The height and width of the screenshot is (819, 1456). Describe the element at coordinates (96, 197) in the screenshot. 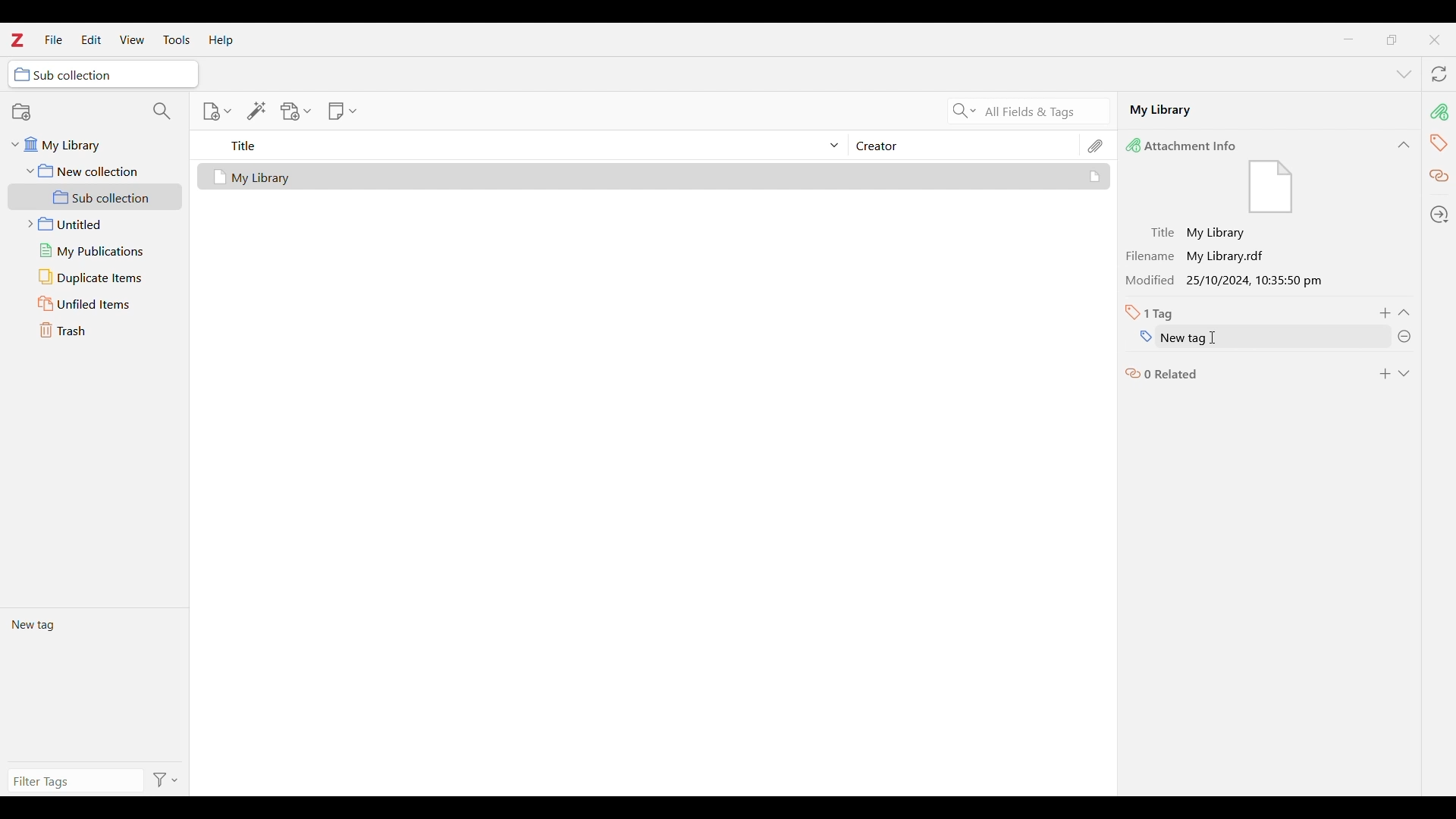

I see `Sub collection folder` at that location.